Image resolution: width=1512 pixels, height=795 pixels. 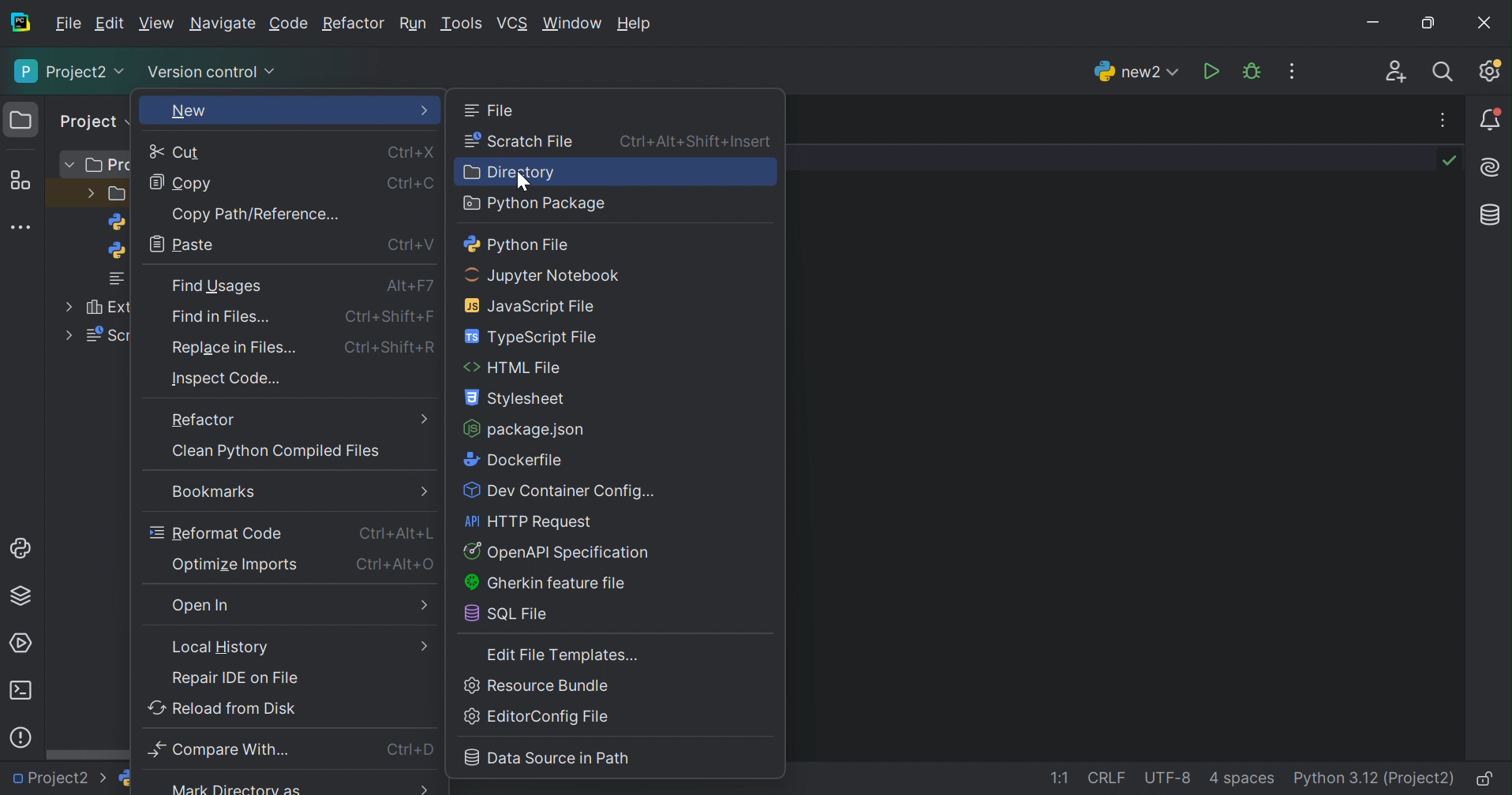 I want to click on python logo, so click(x=126, y=778).